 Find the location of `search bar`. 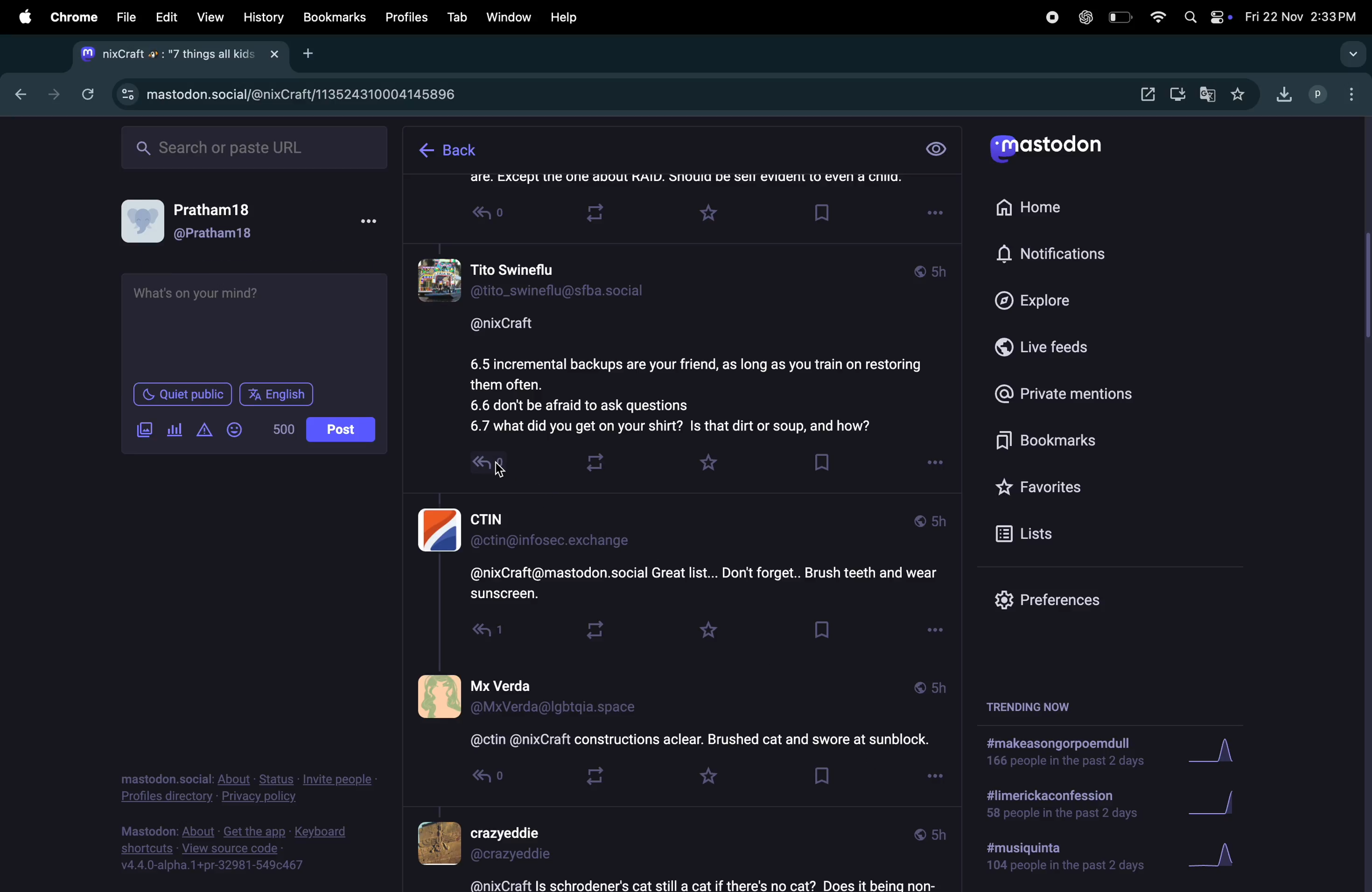

search bar is located at coordinates (1352, 54).